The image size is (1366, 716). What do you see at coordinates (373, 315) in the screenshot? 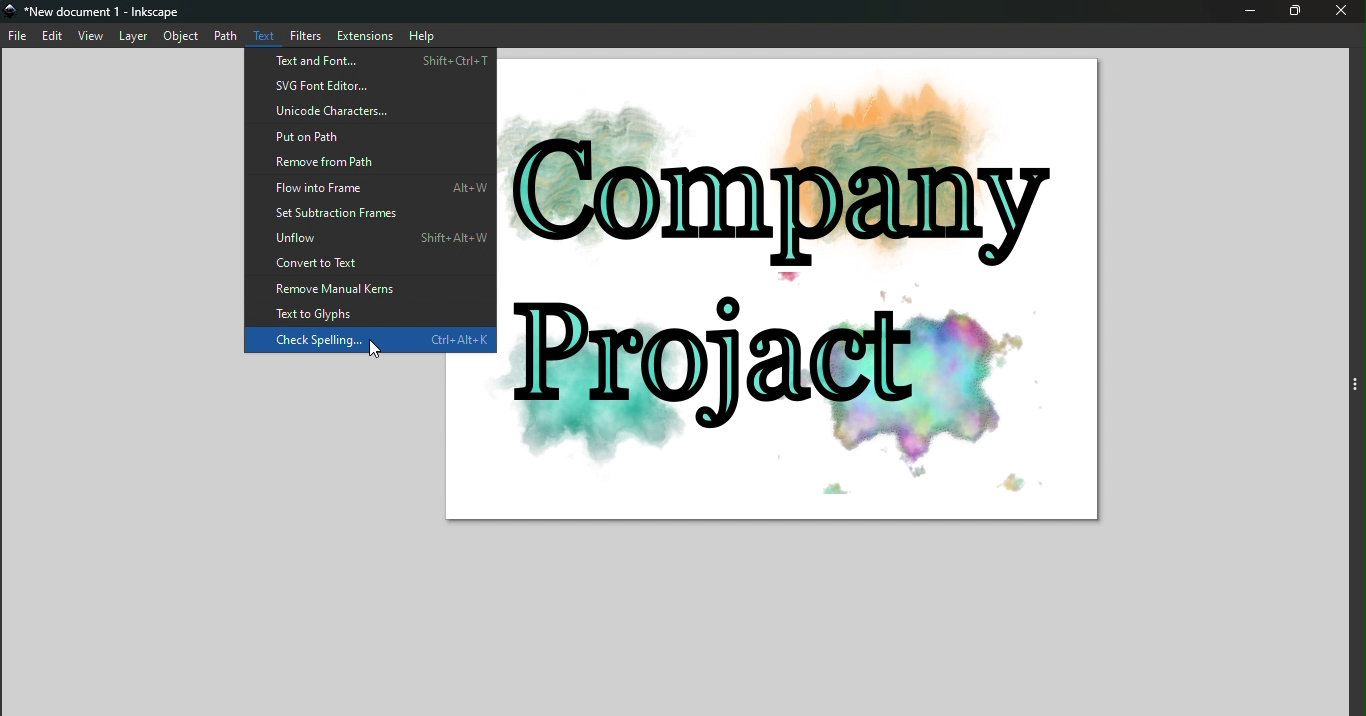
I see `Text to glyphs ` at bounding box center [373, 315].